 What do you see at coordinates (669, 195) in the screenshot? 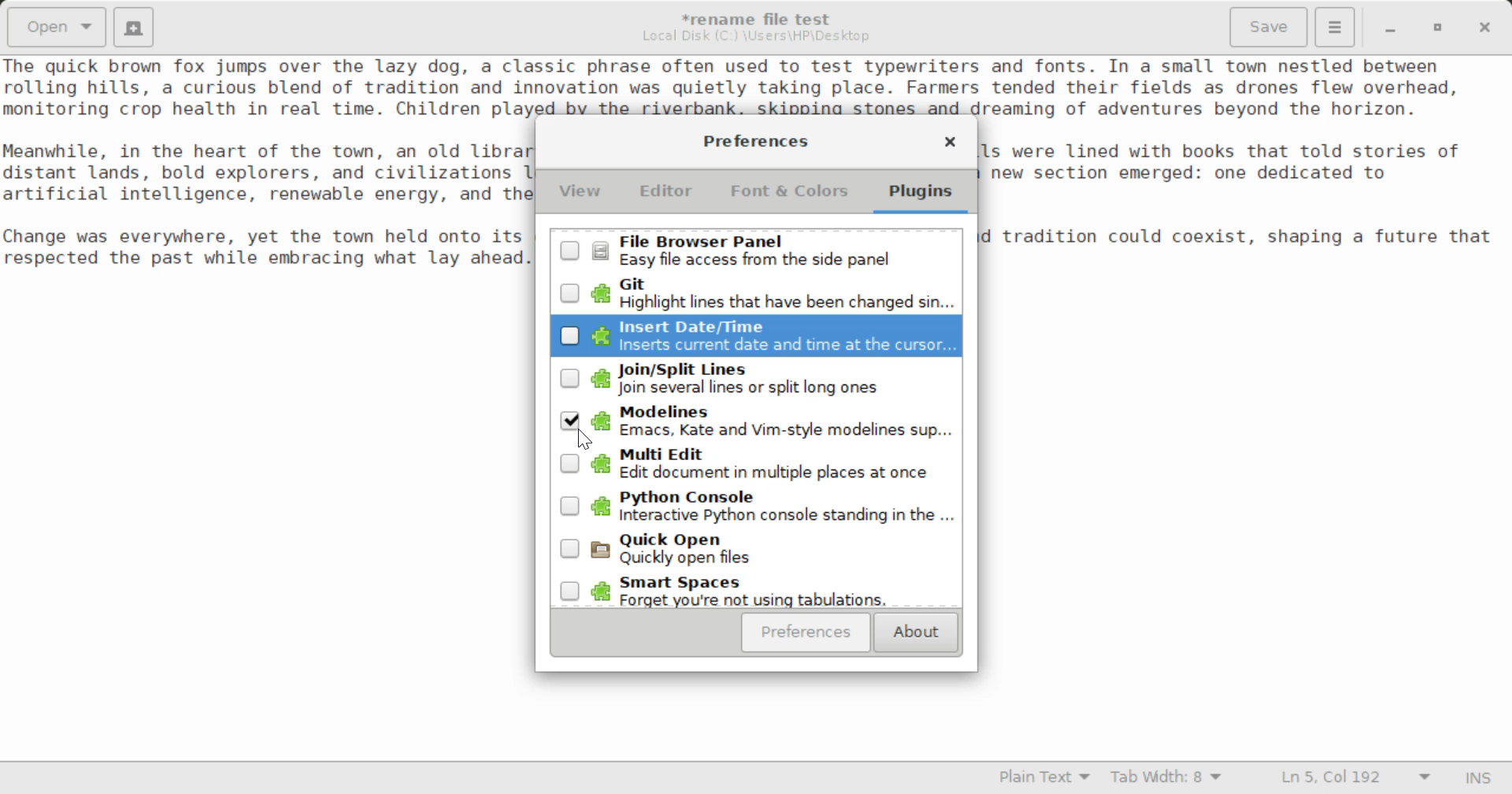
I see `Editor Tab` at bounding box center [669, 195].